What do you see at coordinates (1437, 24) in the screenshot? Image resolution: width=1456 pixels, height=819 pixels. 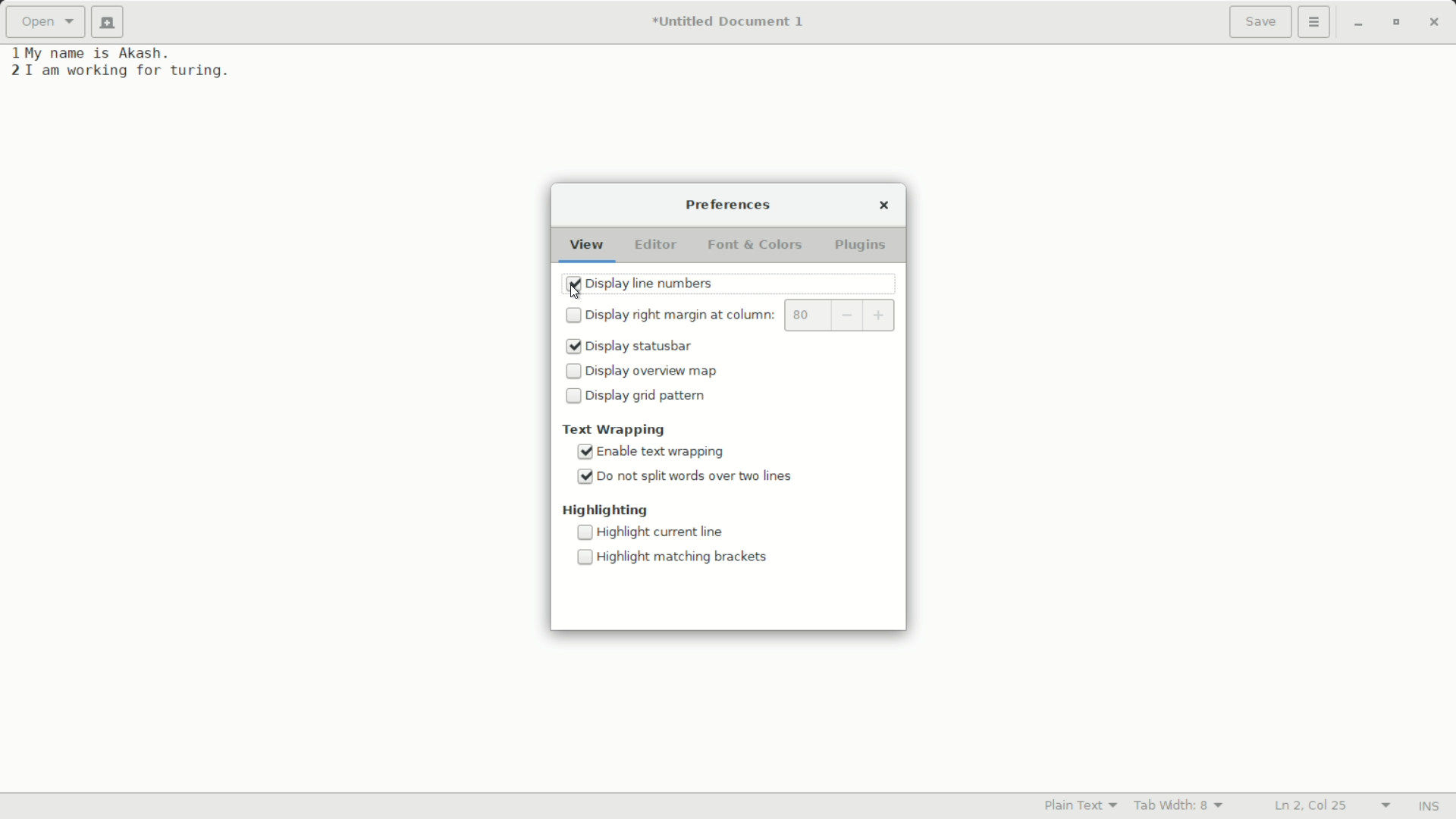 I see `close app` at bounding box center [1437, 24].